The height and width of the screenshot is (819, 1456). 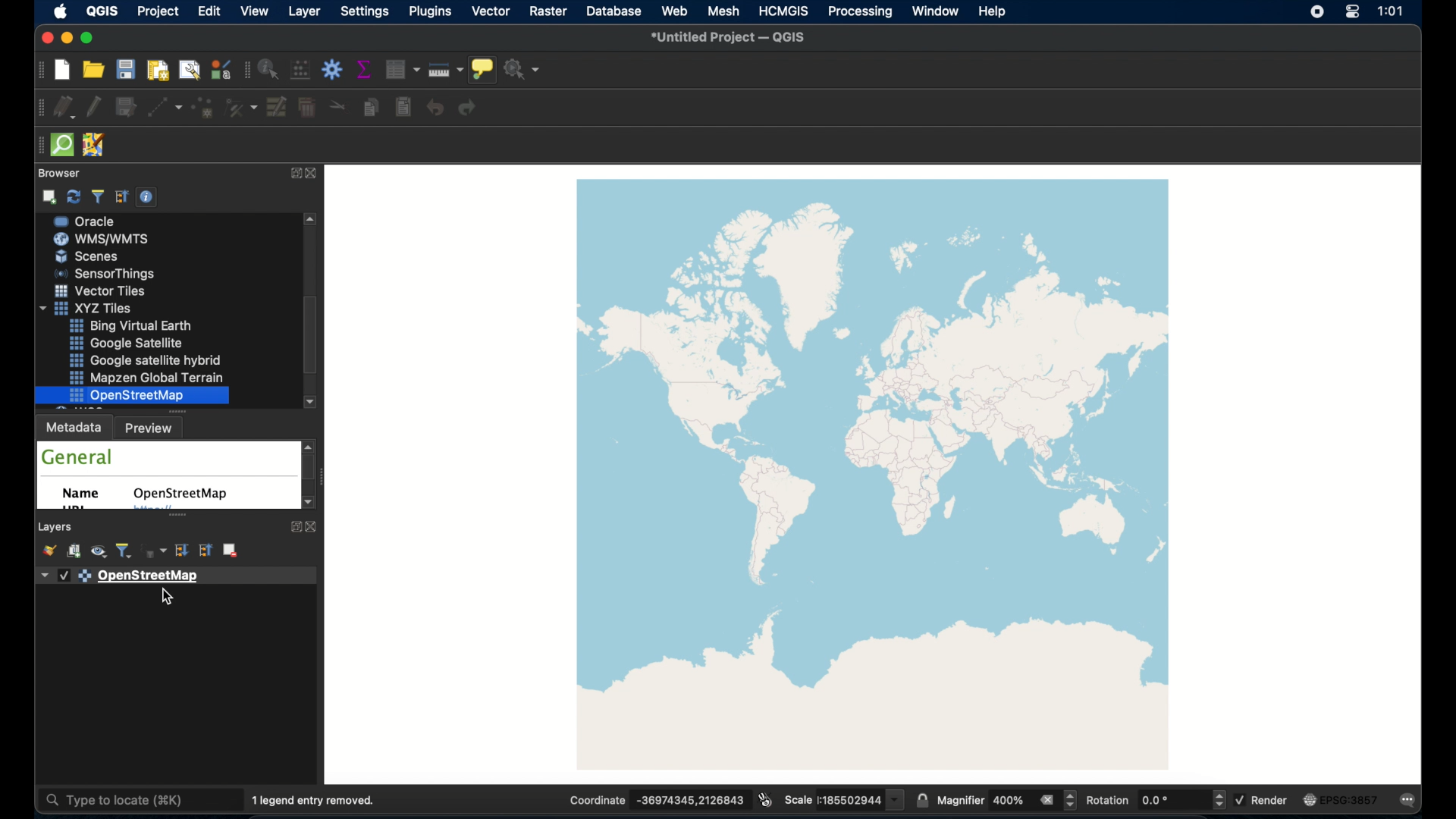 I want to click on untitled project QGIS, so click(x=734, y=37).